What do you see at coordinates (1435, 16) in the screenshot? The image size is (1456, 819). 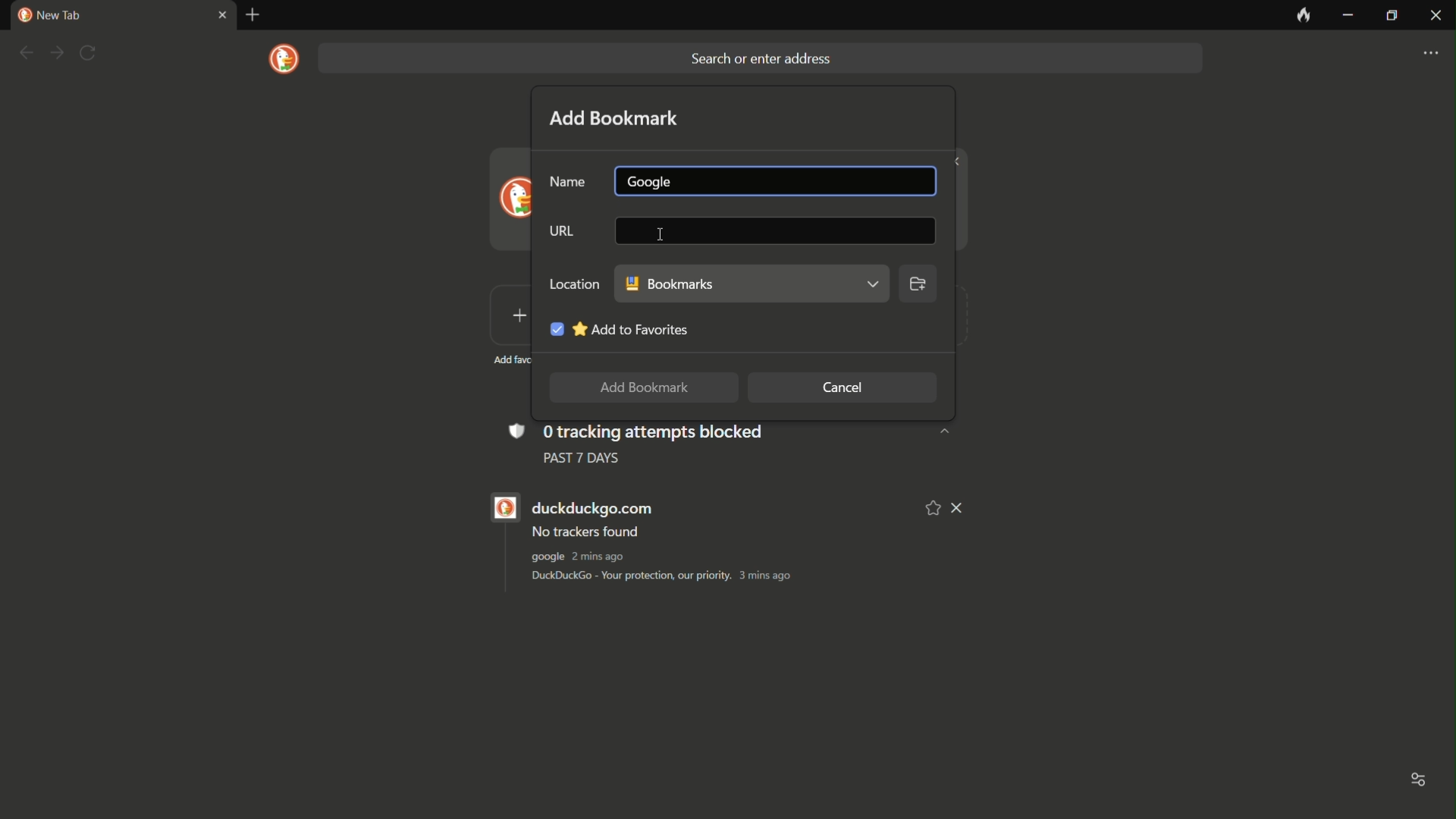 I see `close app` at bounding box center [1435, 16].